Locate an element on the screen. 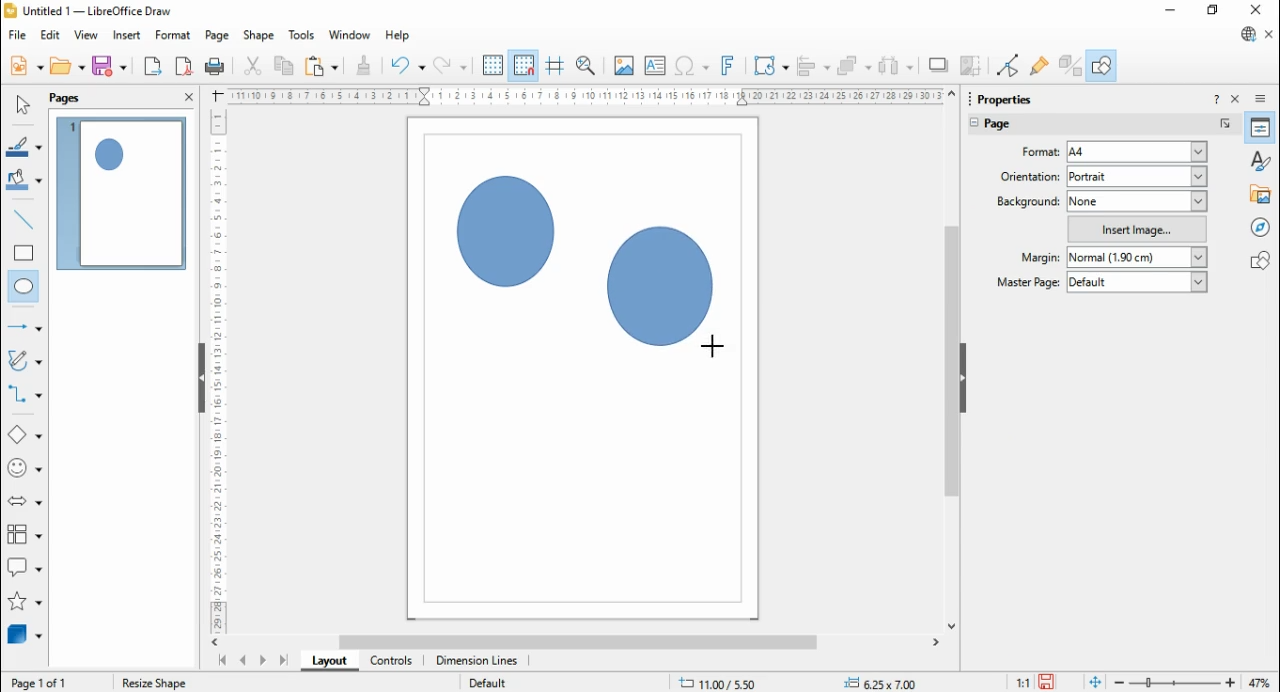  47% is located at coordinates (1262, 682).